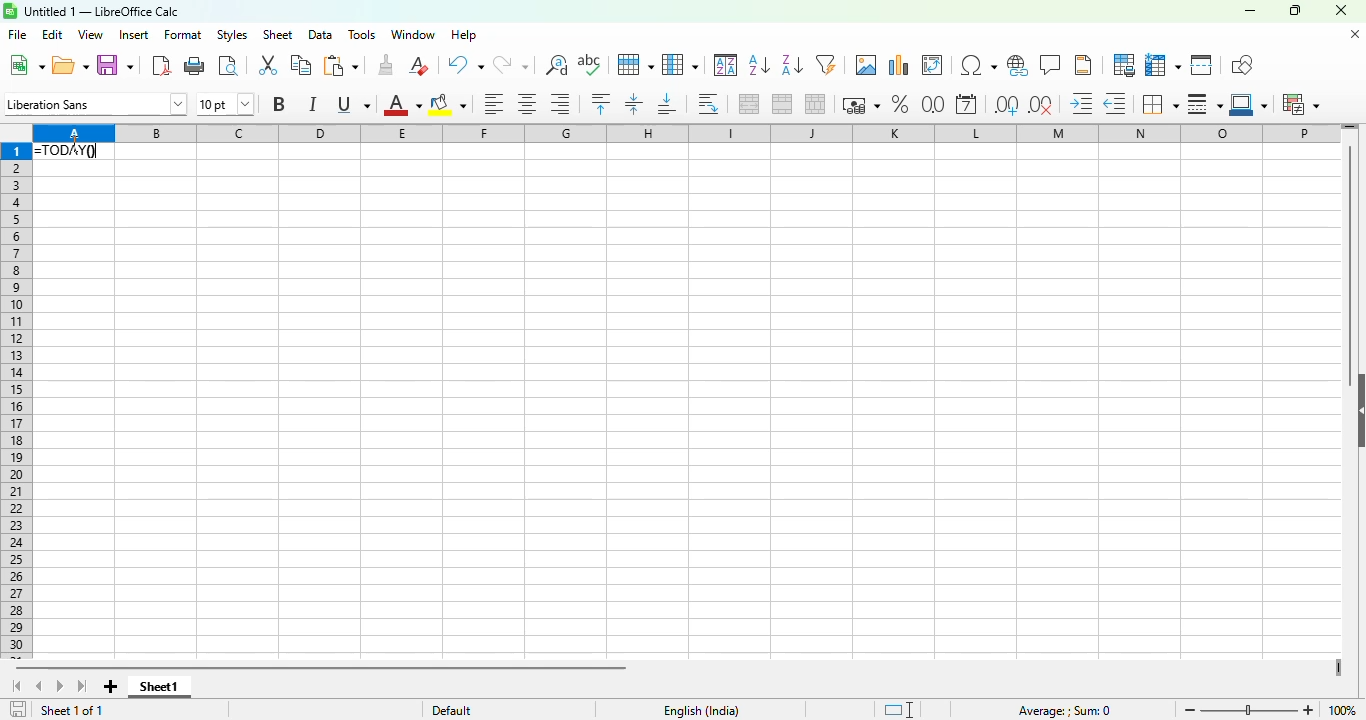  I want to click on align right, so click(559, 105).